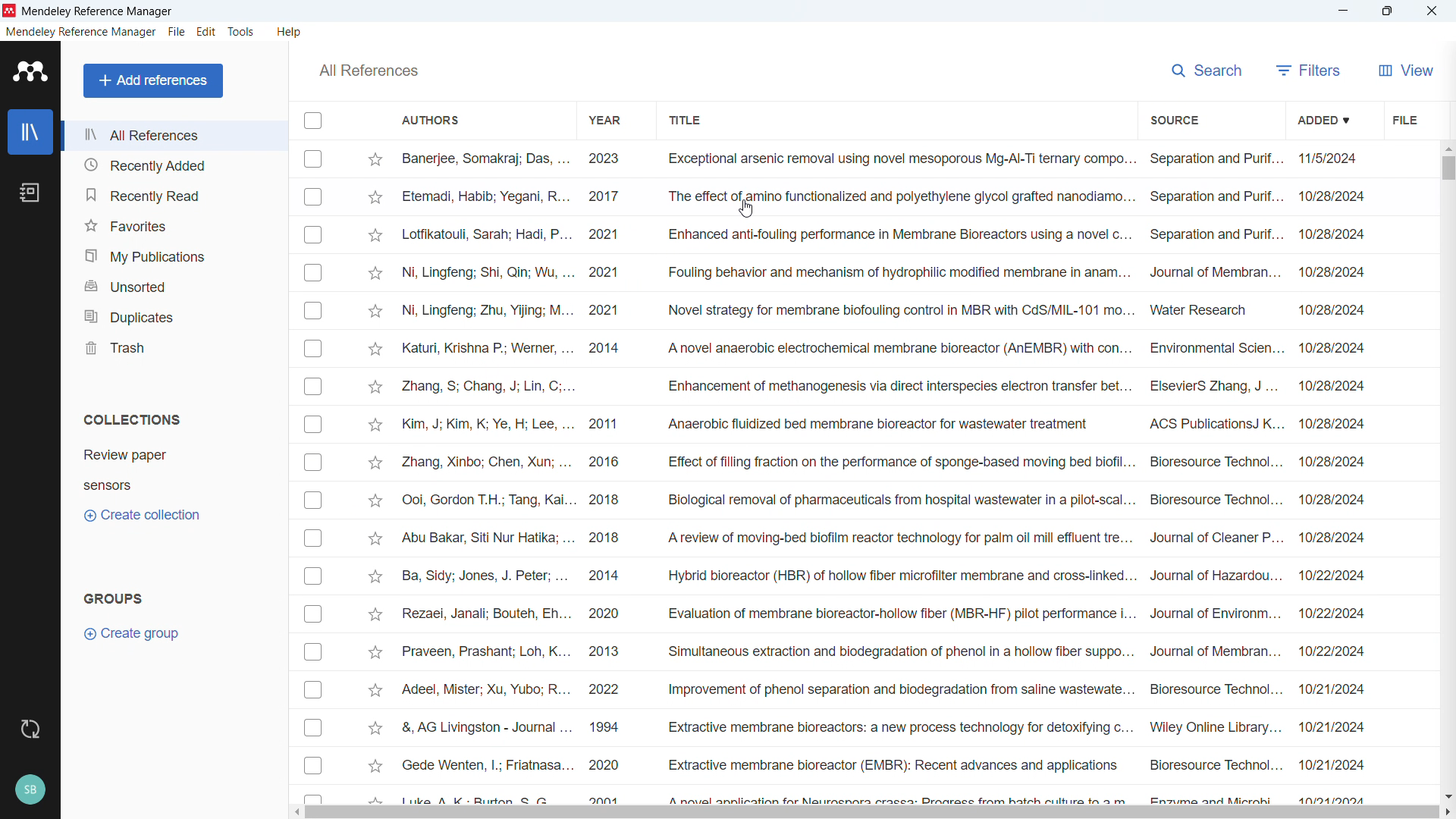 This screenshot has width=1456, height=819. I want to click on collections , so click(132, 419).